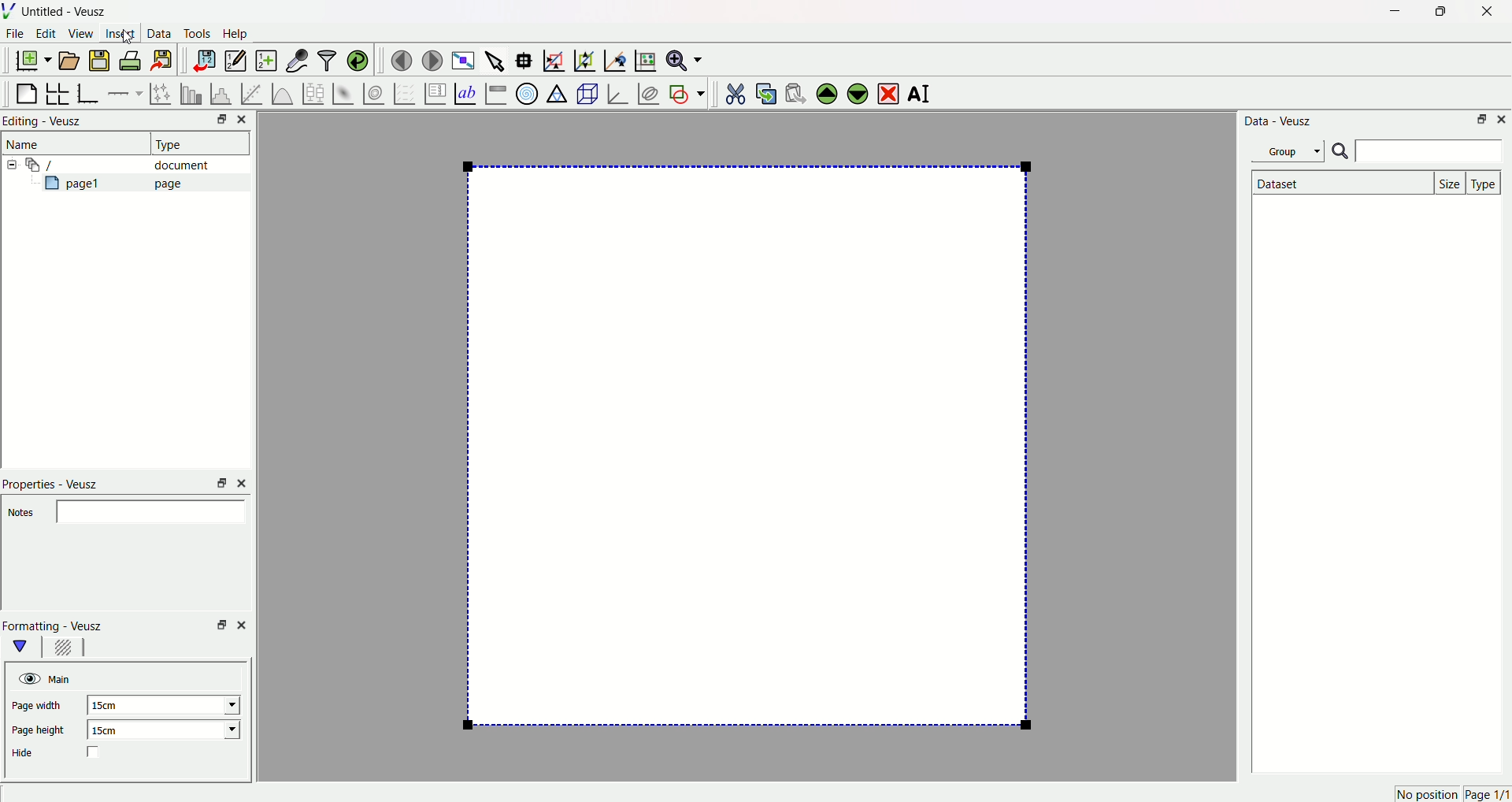 This screenshot has width=1512, height=802. I want to click on plot a function, so click(281, 93).